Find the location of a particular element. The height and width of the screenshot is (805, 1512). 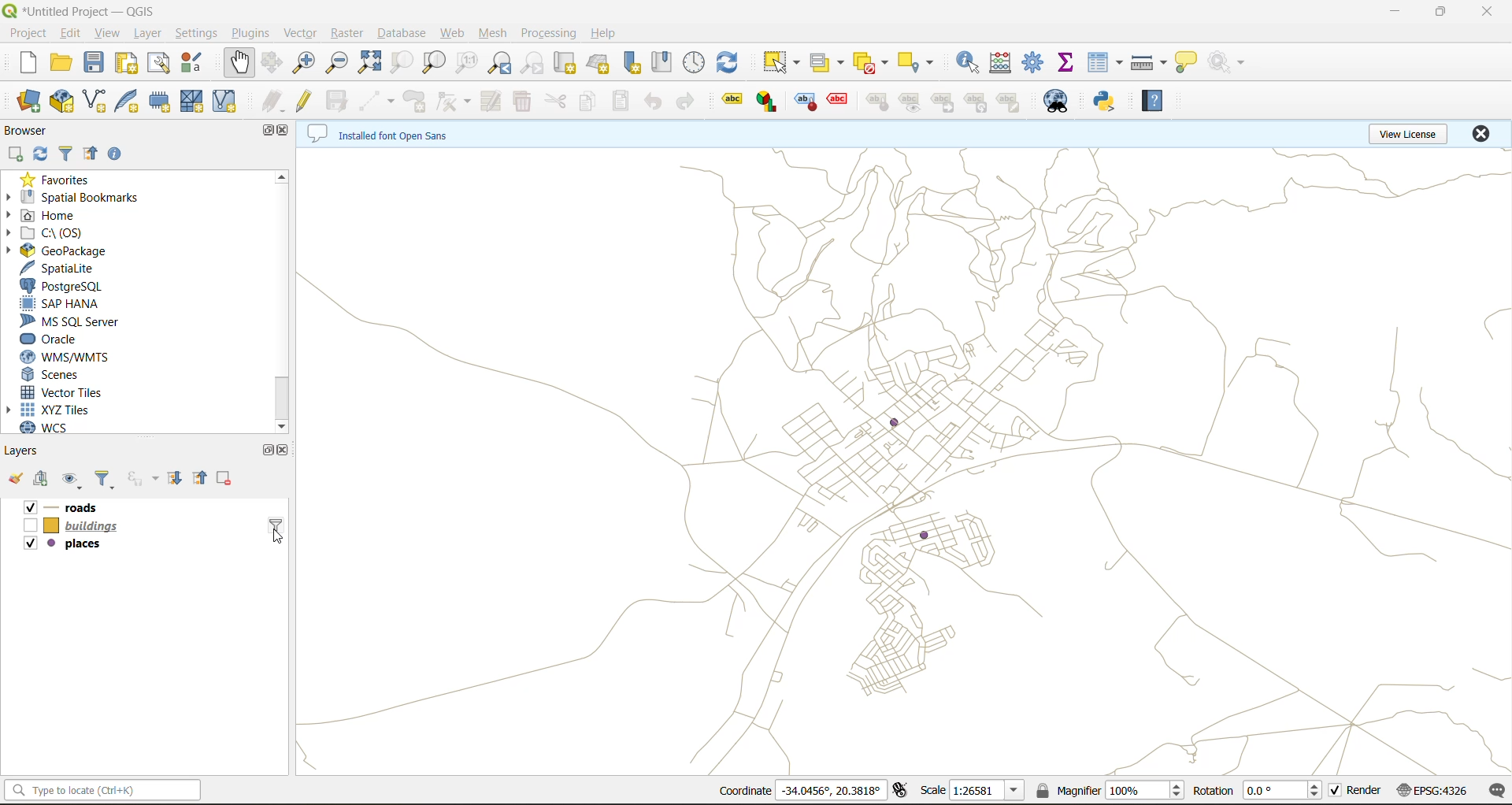

expand all is located at coordinates (177, 477).